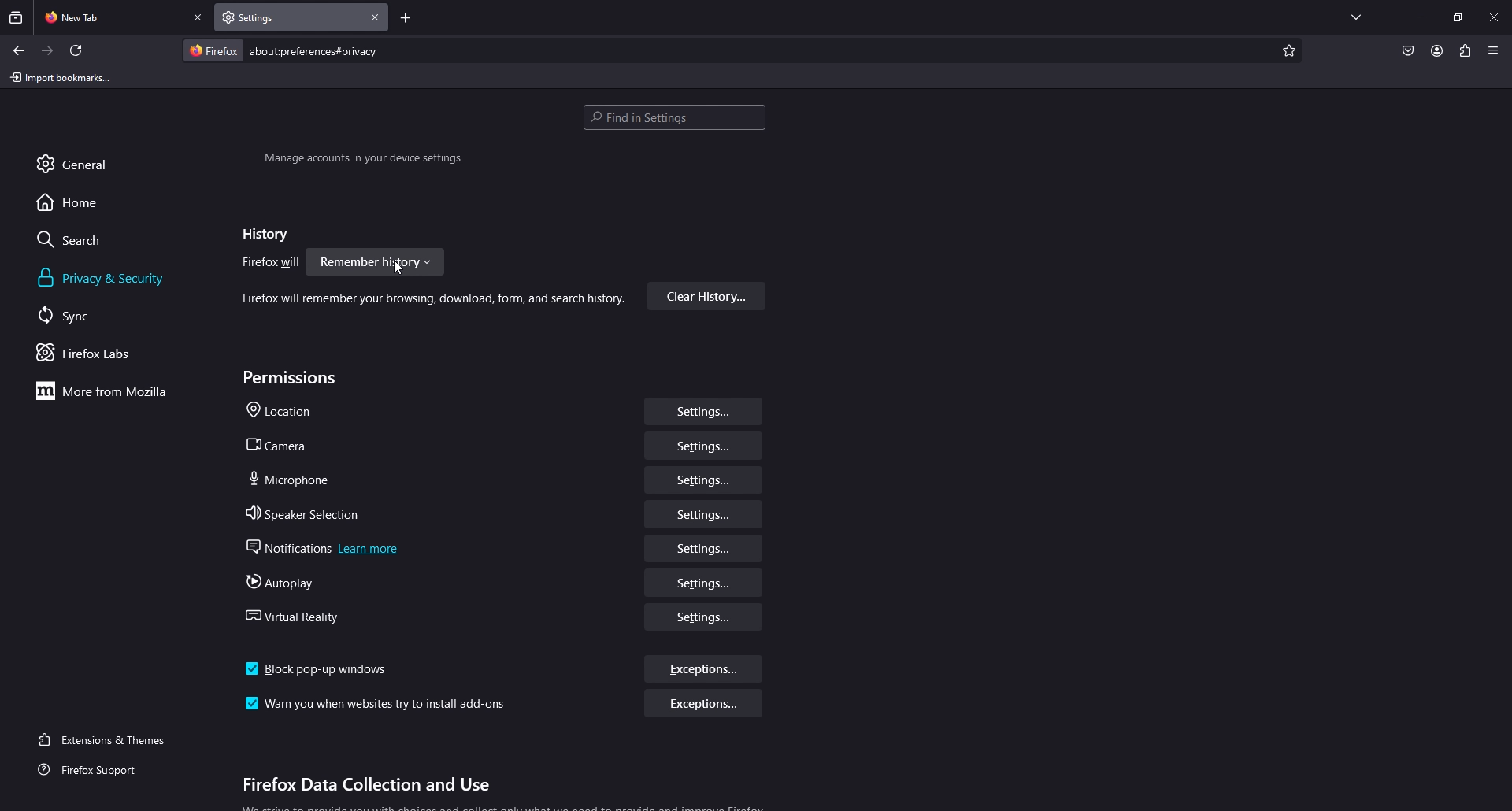  Describe the element at coordinates (1421, 16) in the screenshot. I see `minimize` at that location.